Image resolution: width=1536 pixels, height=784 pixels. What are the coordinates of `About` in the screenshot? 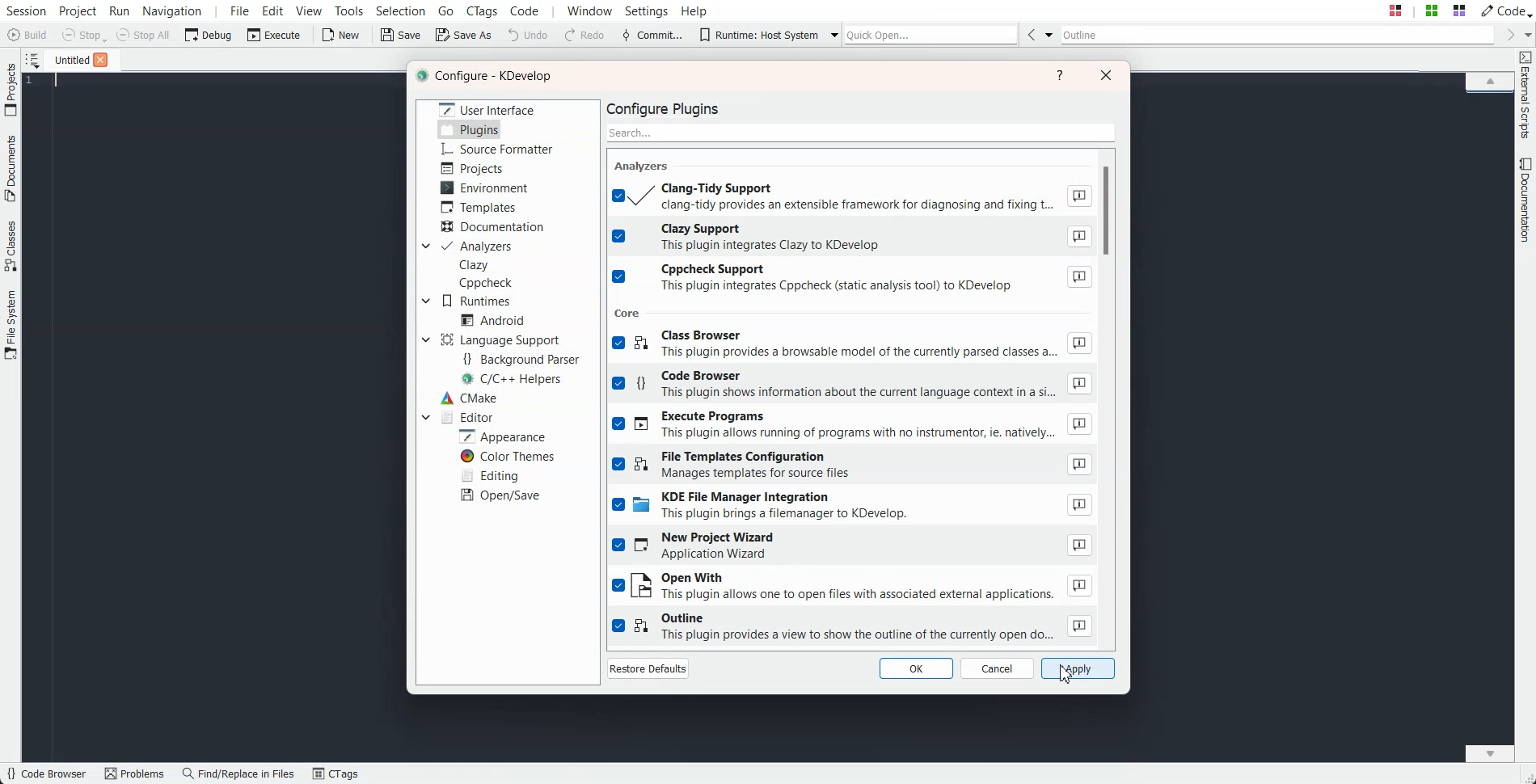 It's located at (1080, 626).